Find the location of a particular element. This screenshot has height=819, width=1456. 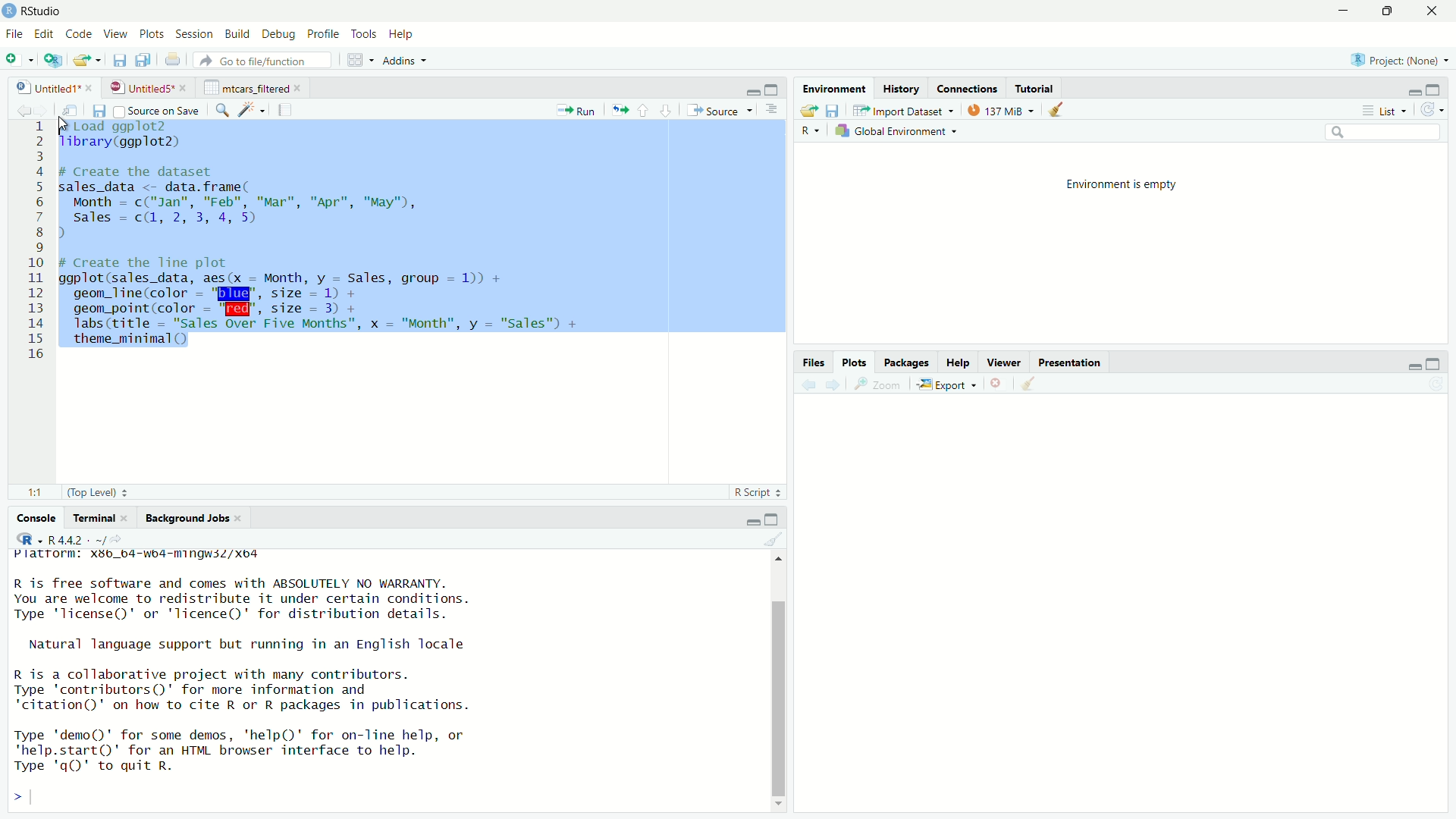

minimize is located at coordinates (750, 521).